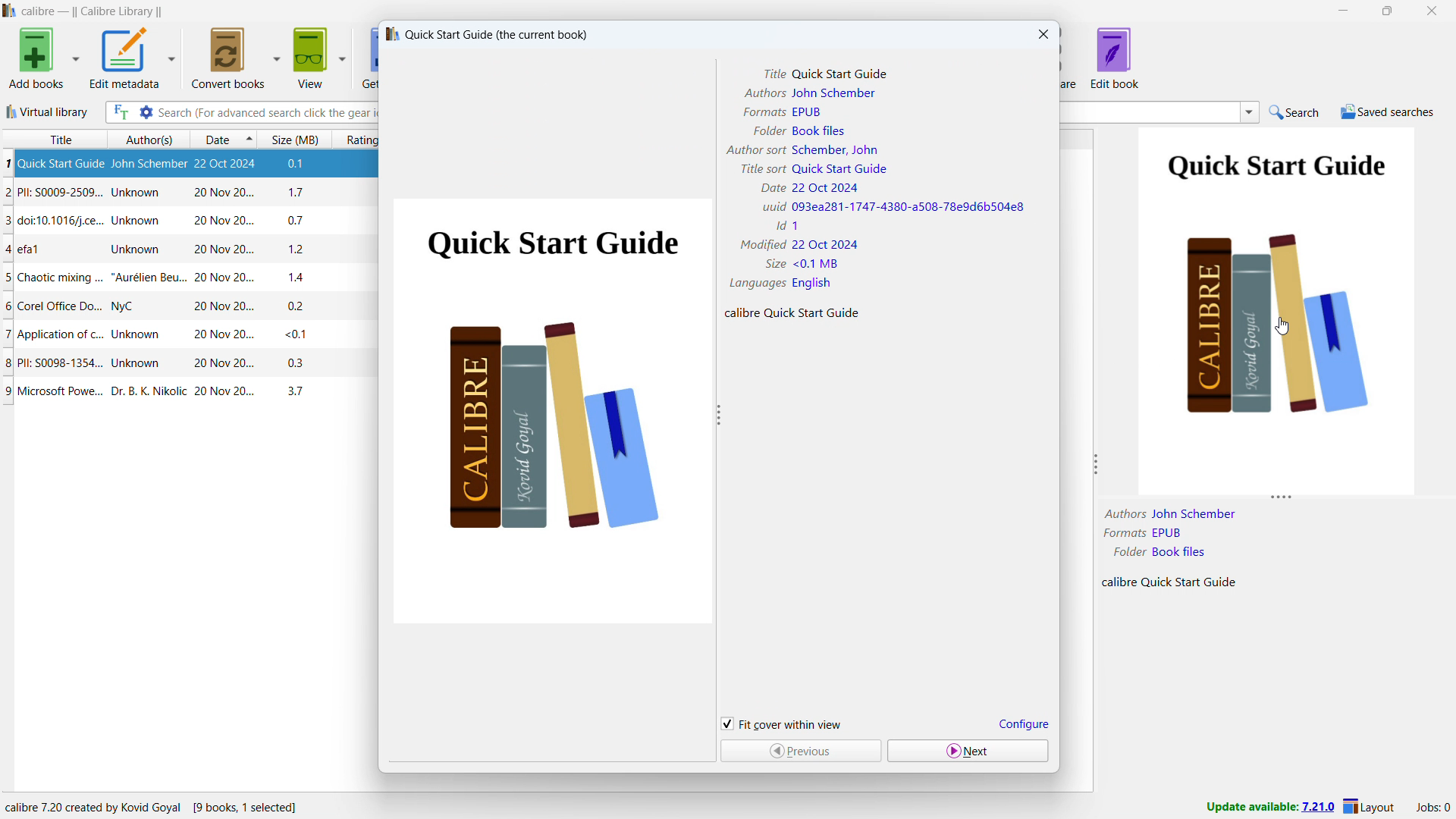 The width and height of the screenshot is (1456, 819). I want to click on 1.7, so click(300, 193).